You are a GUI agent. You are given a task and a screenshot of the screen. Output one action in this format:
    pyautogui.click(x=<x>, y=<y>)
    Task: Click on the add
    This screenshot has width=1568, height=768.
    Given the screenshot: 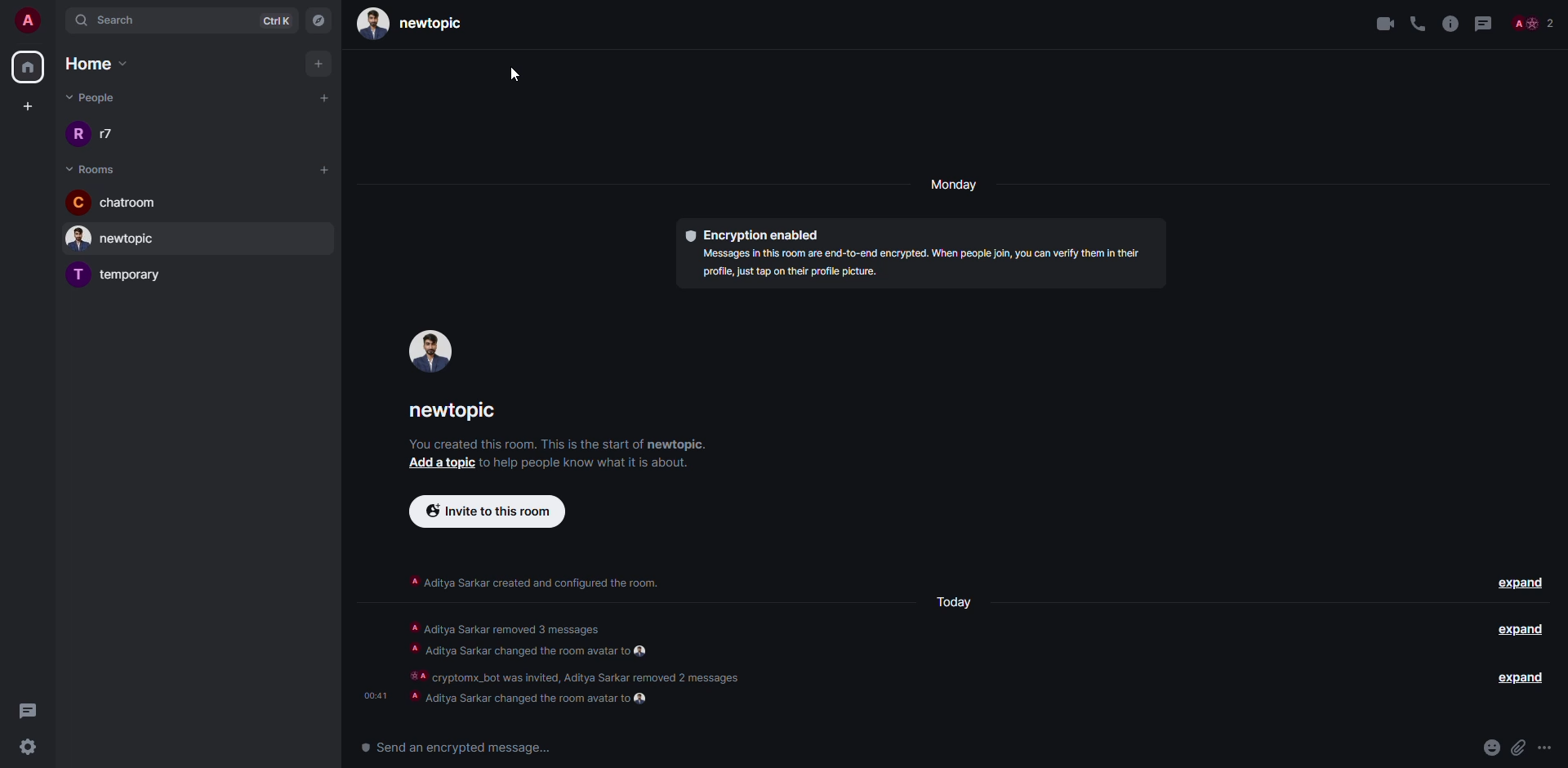 What is the action you would take?
    pyautogui.click(x=324, y=98)
    